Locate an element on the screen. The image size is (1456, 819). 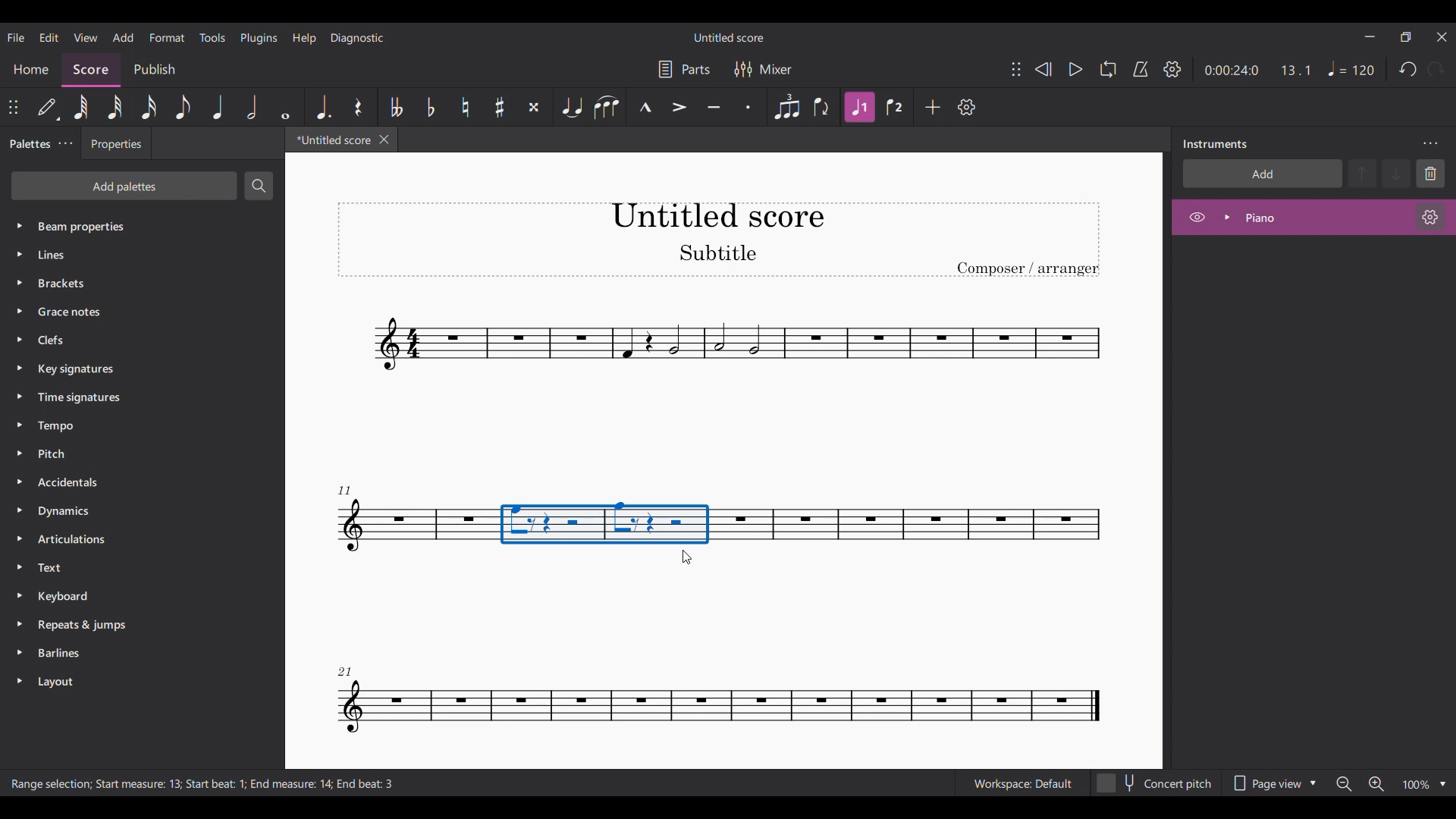
Add is located at coordinates (933, 107).